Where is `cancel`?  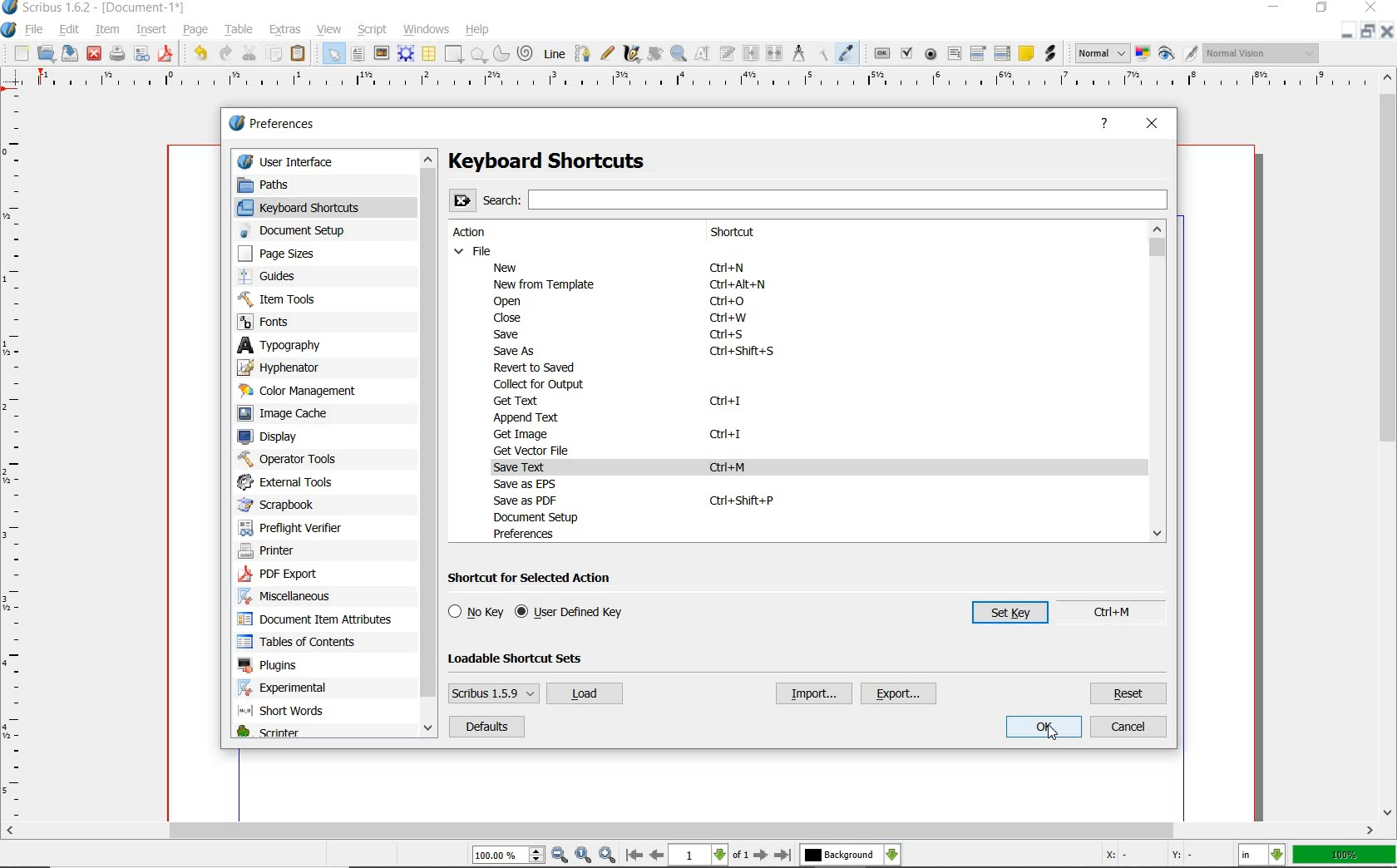 cancel is located at coordinates (1128, 727).